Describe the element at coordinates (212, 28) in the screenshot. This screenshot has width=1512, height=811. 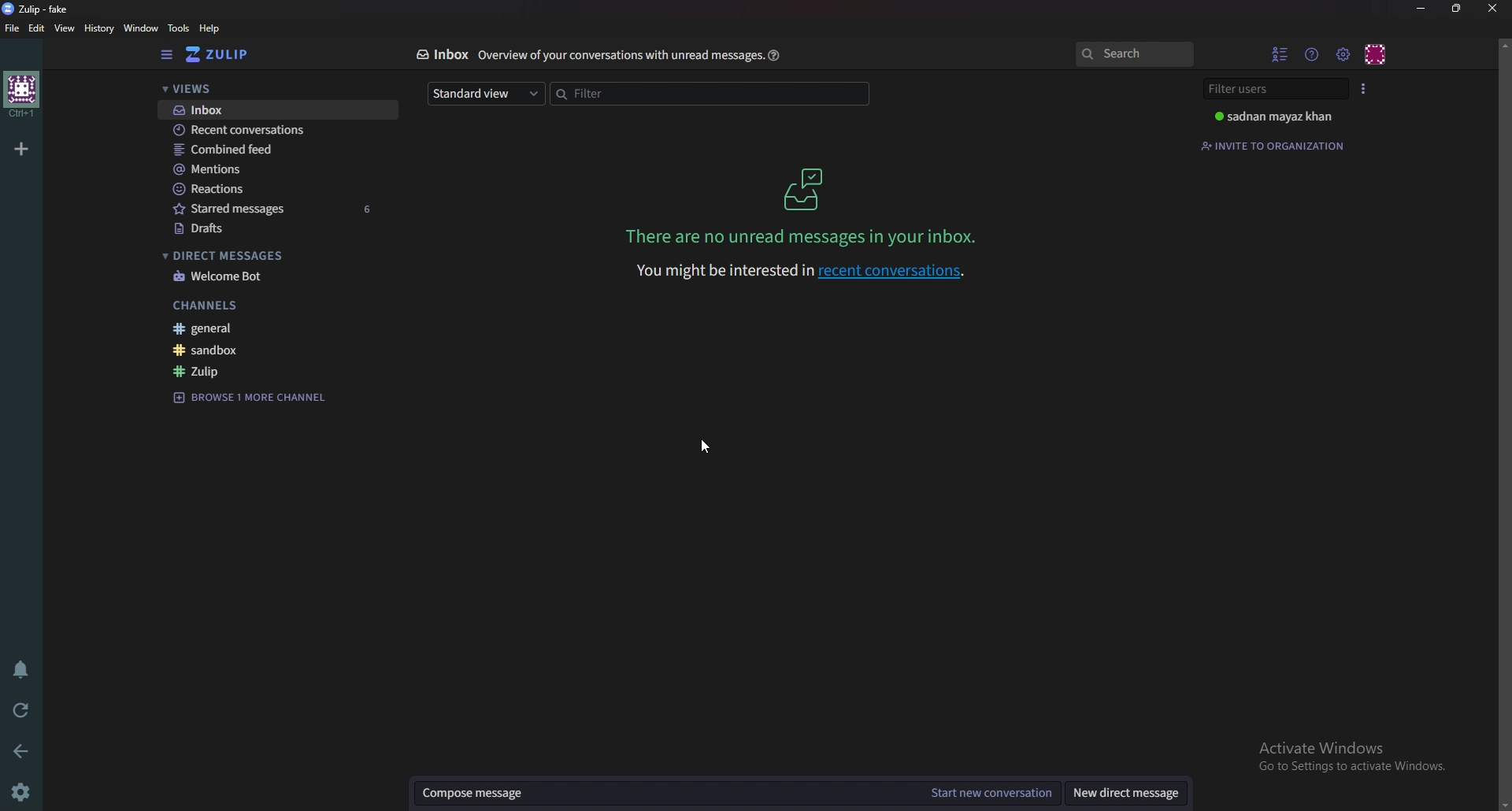
I see `help` at that location.